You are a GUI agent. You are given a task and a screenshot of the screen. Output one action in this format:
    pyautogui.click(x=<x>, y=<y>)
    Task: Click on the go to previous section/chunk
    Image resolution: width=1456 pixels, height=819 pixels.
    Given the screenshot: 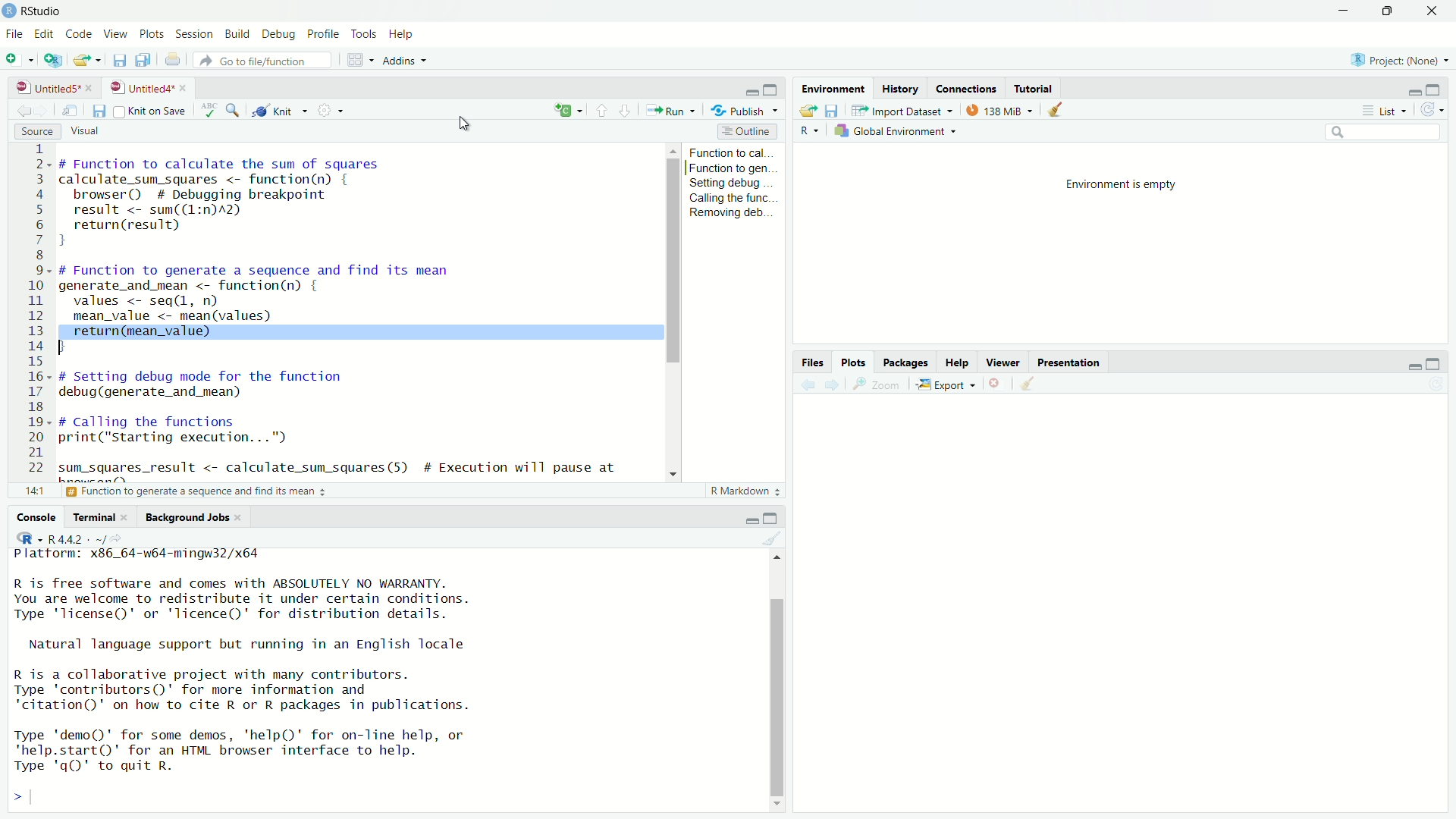 What is the action you would take?
    pyautogui.click(x=599, y=109)
    